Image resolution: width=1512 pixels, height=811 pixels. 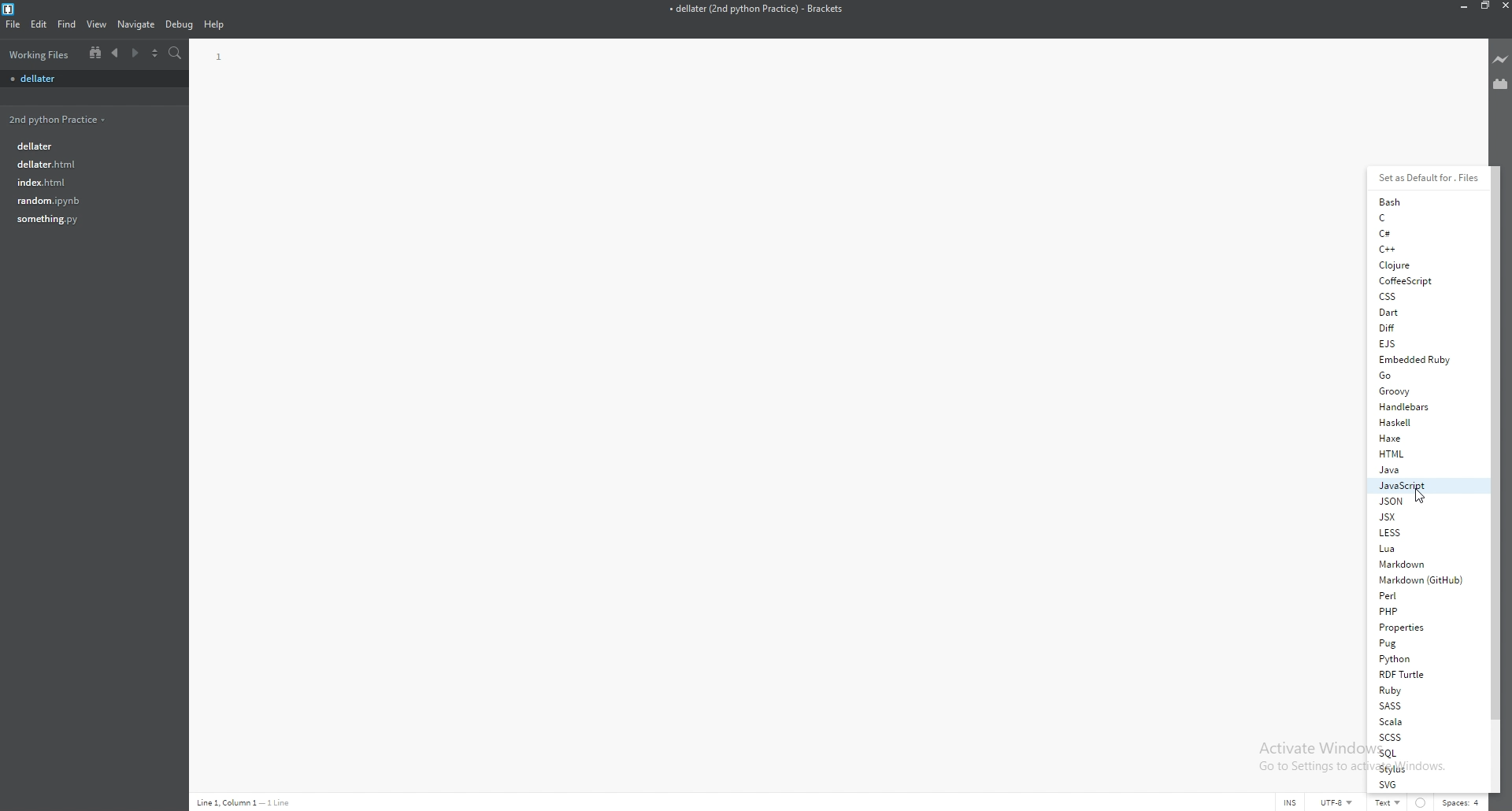 What do you see at coordinates (91, 80) in the screenshot?
I see `file` at bounding box center [91, 80].